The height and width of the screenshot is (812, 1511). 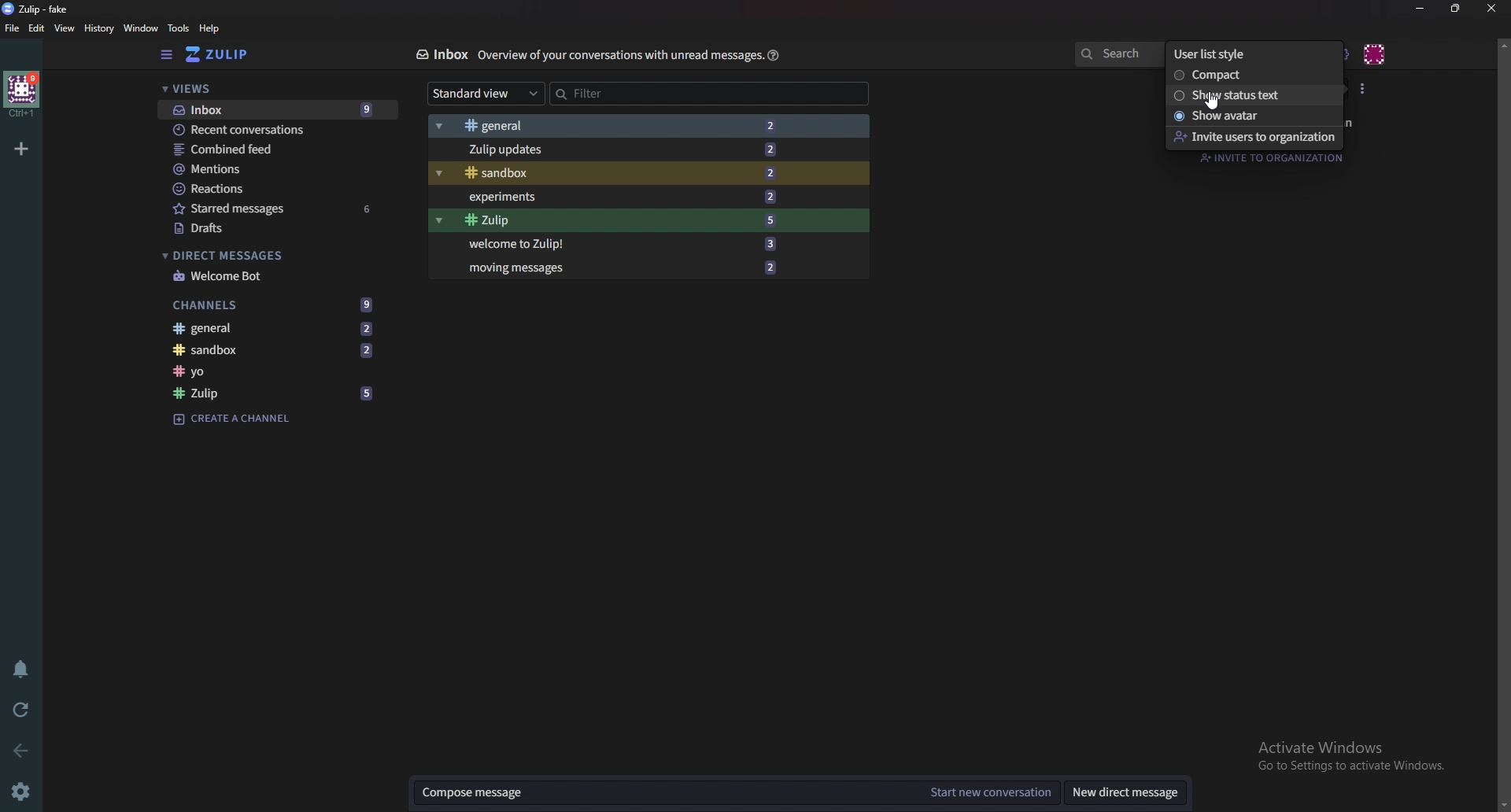 I want to click on back, so click(x=17, y=750).